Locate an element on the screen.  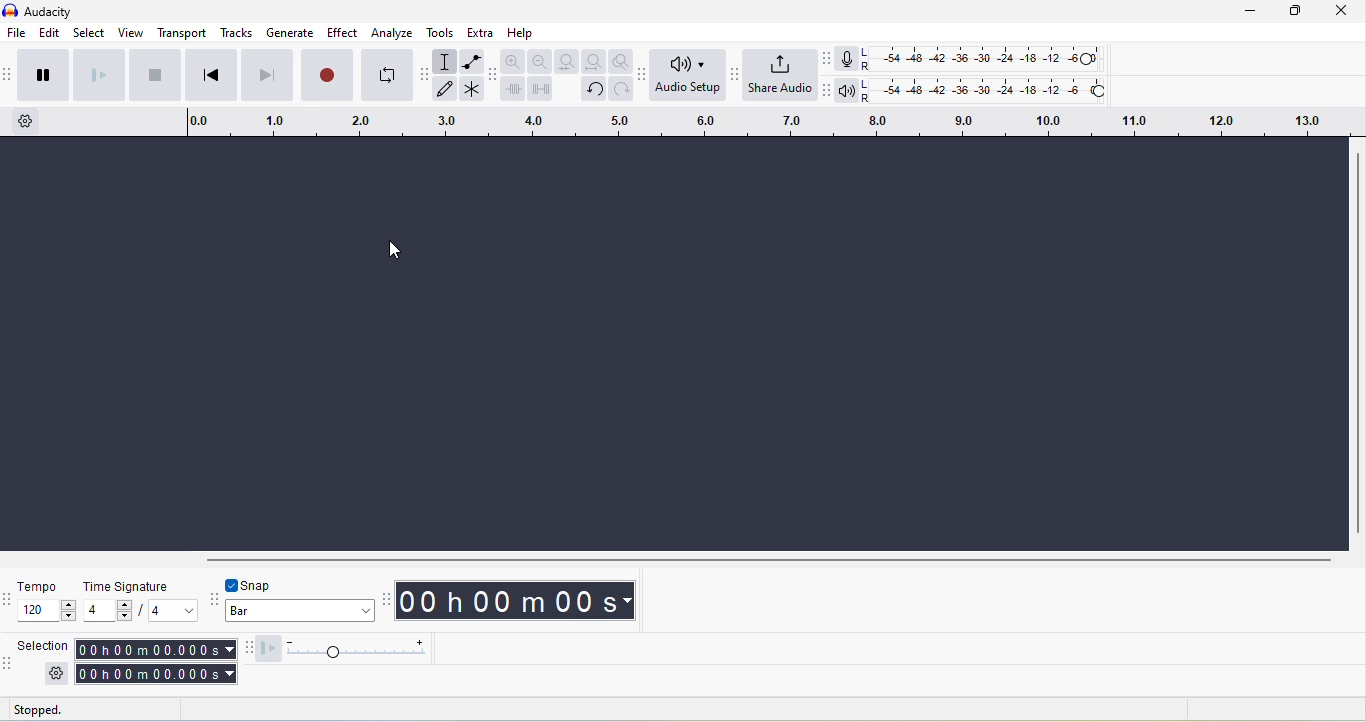
click and drag to define a looping region is located at coordinates (764, 123).